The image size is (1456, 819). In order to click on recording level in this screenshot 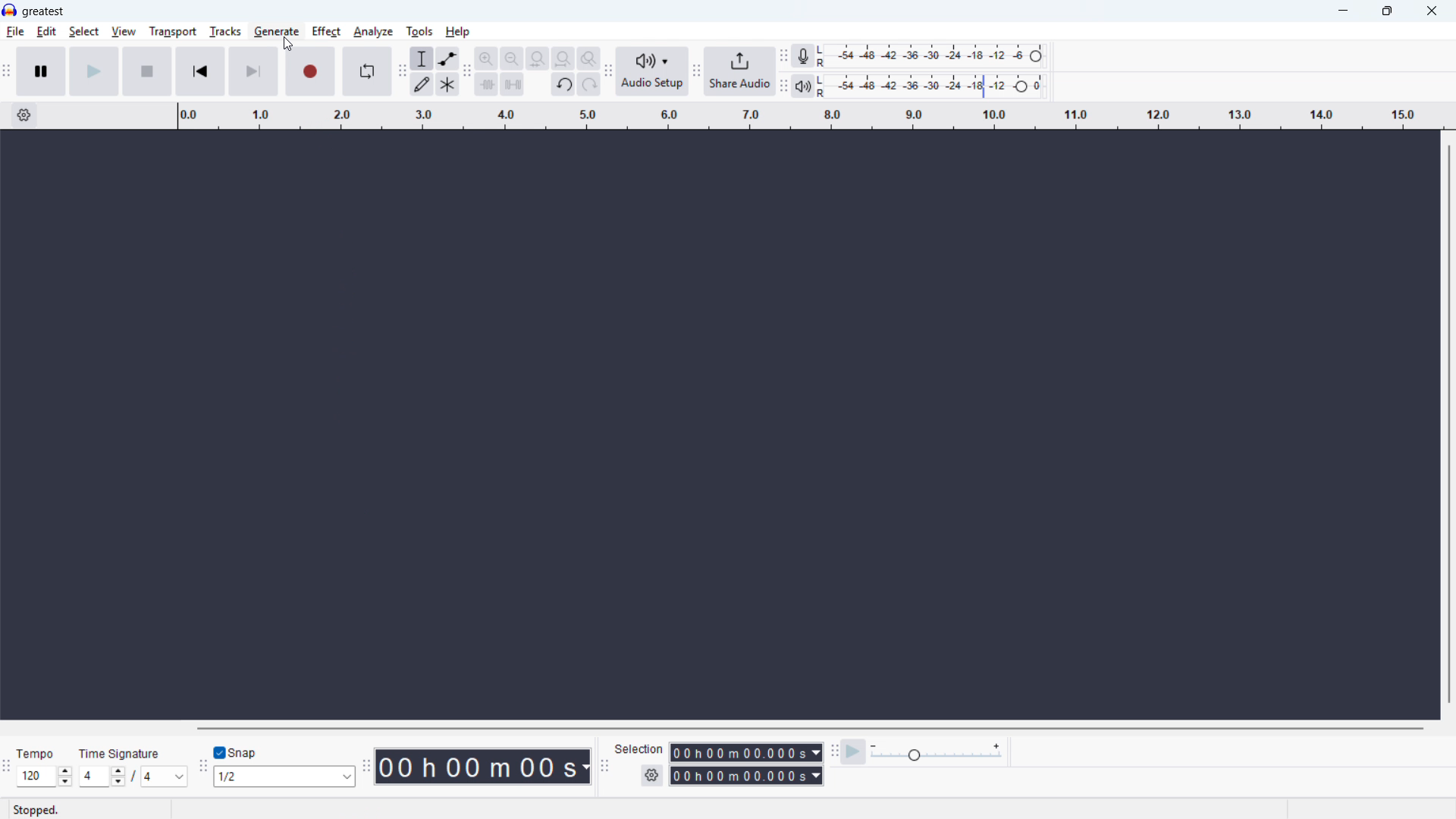, I will do `click(936, 56)`.